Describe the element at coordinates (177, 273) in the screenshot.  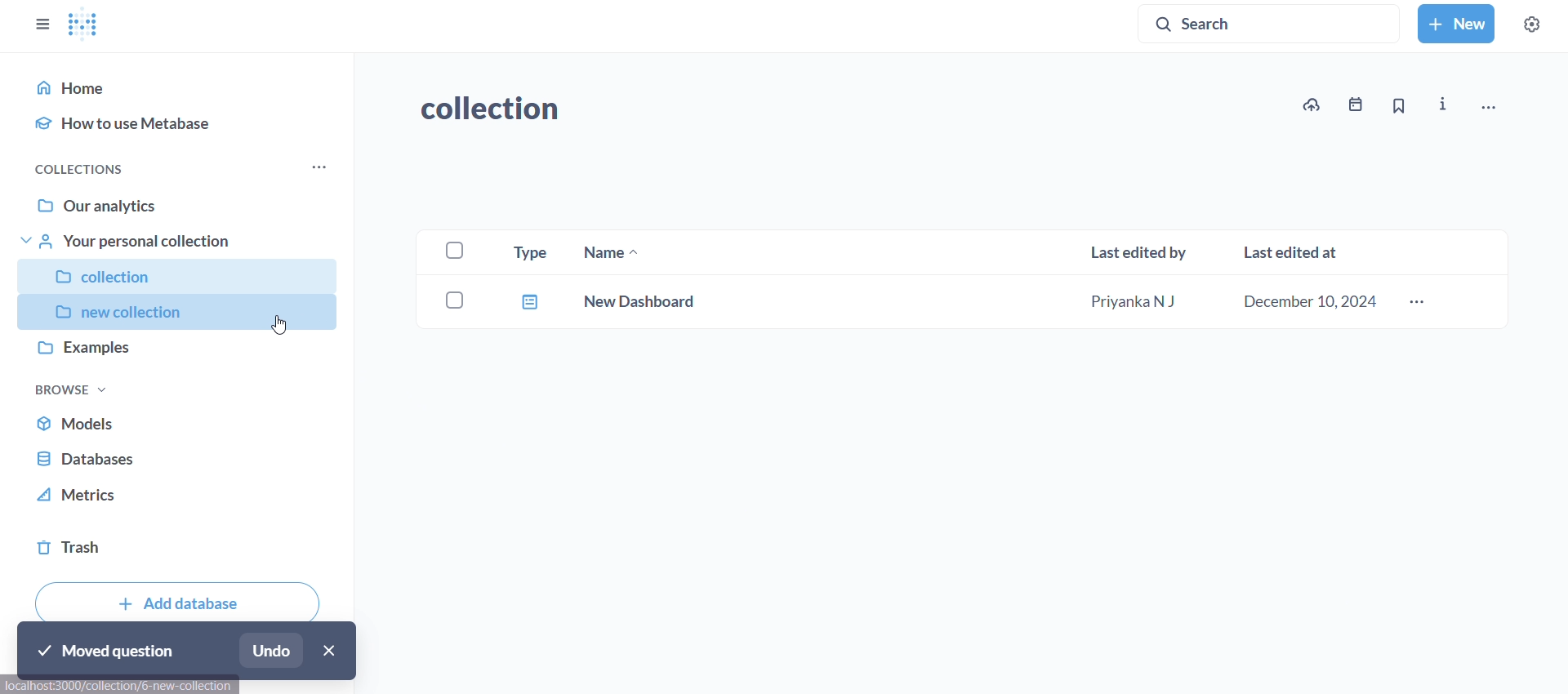
I see `collection` at that location.